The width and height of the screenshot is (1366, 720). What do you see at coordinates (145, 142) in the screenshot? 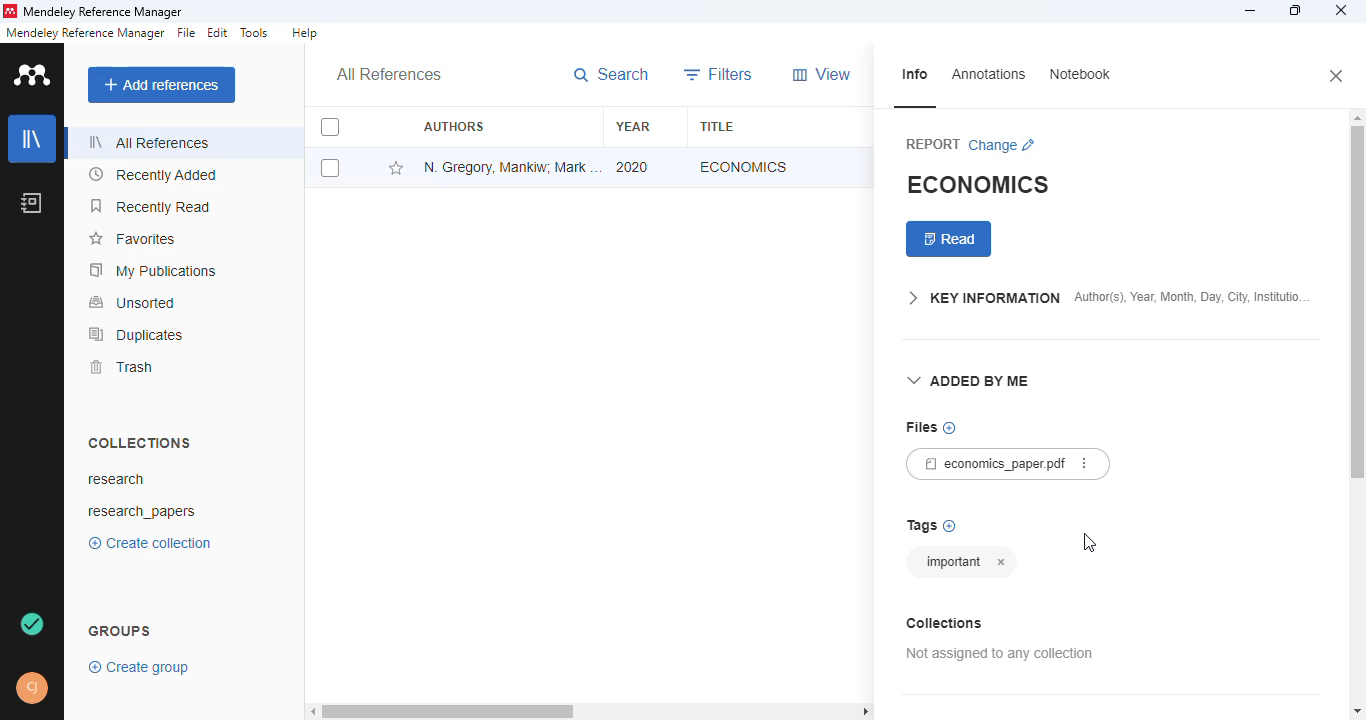
I see `all references` at bounding box center [145, 142].